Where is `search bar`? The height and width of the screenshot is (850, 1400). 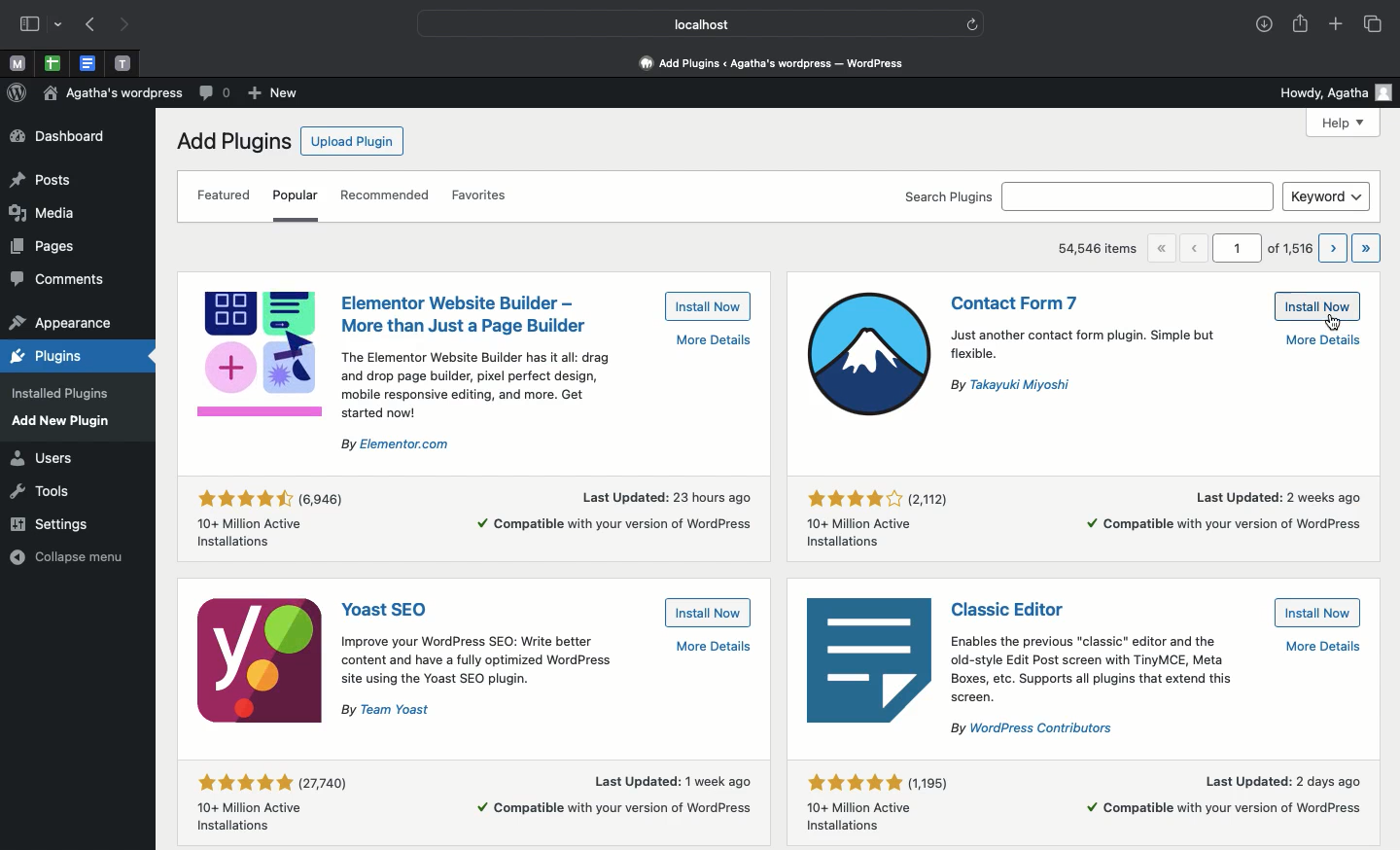 search bar is located at coordinates (1139, 195).